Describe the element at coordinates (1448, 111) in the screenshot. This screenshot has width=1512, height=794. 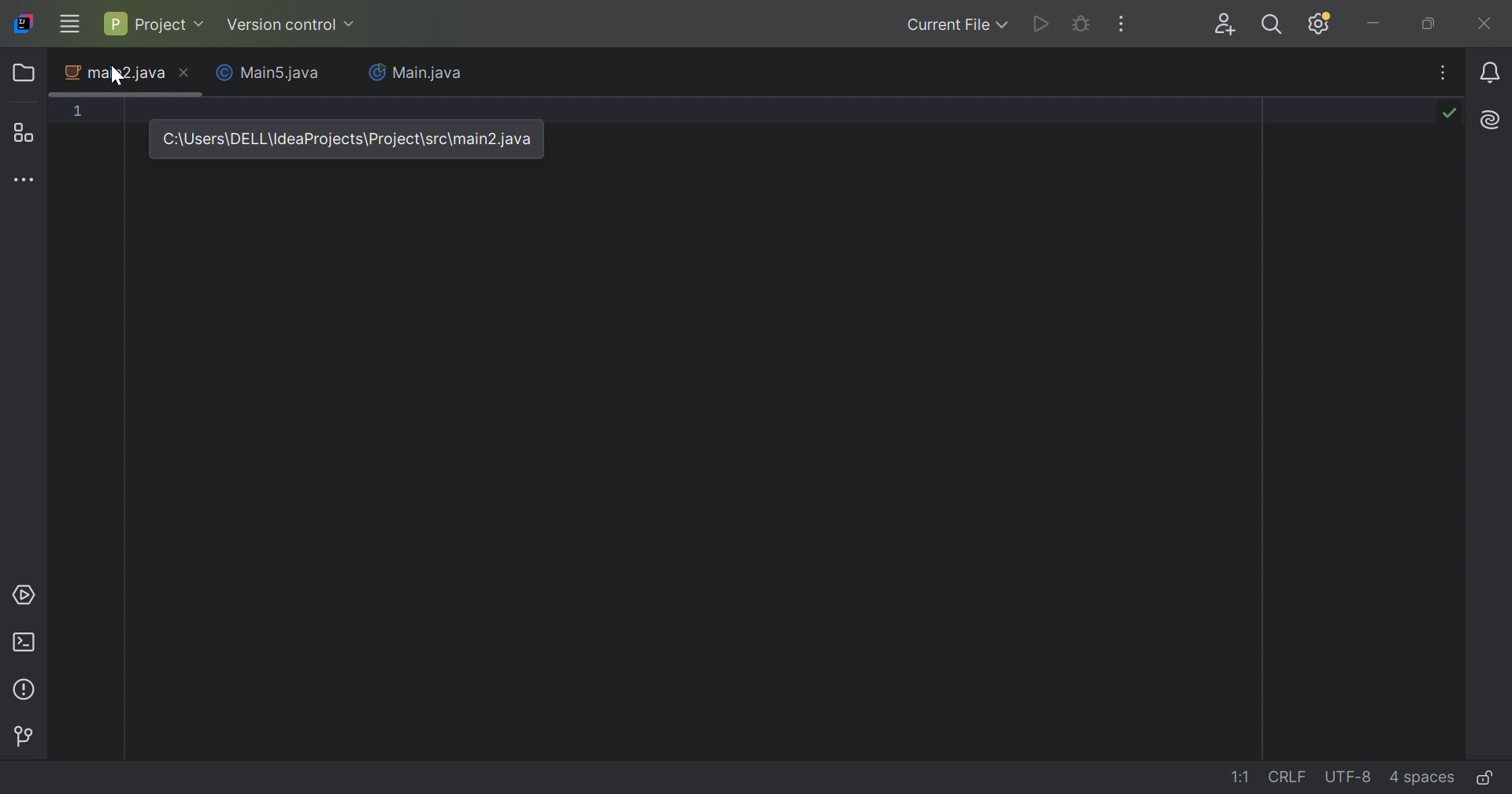
I see `No problems found` at that location.